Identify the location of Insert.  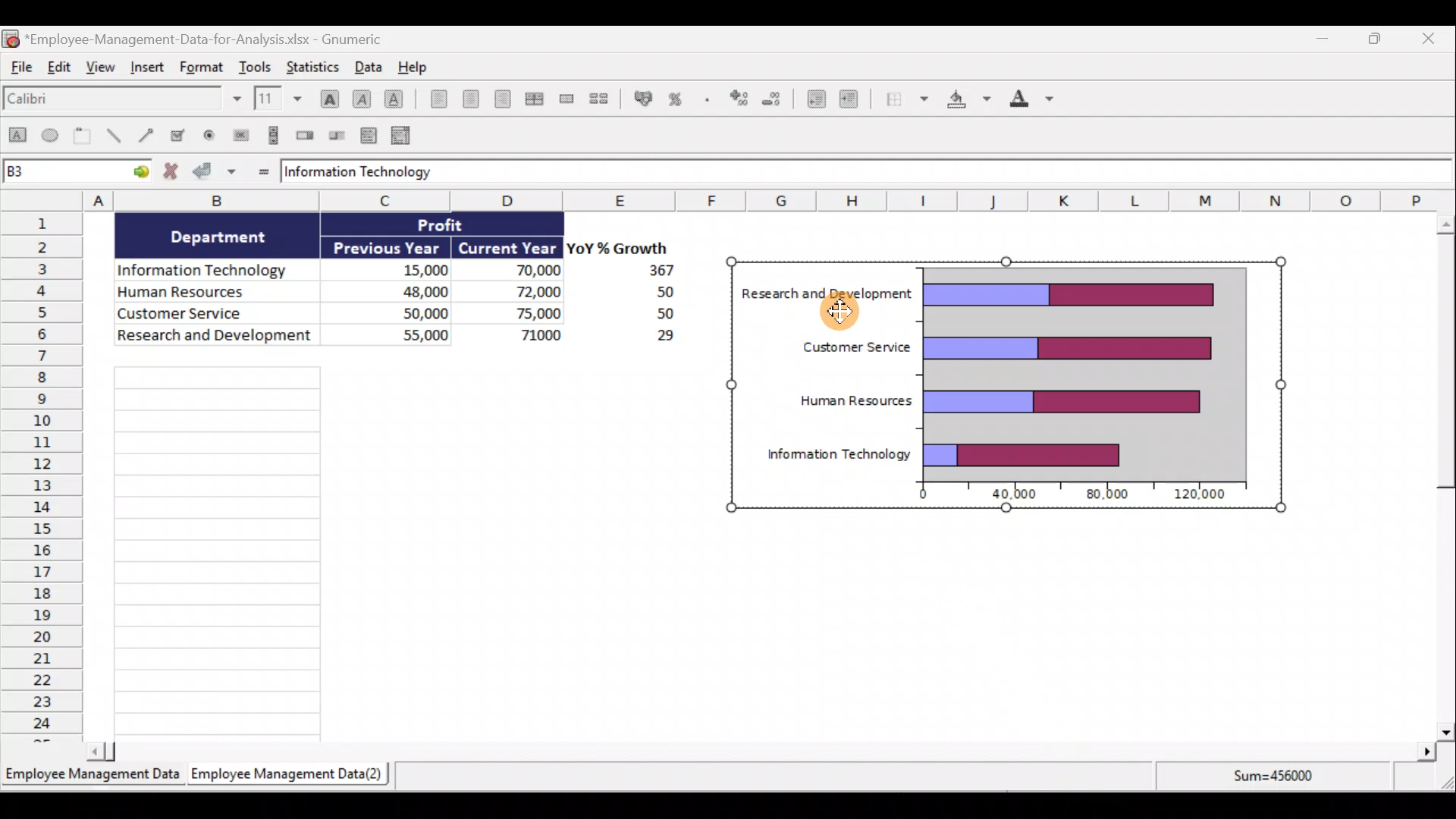
(149, 72).